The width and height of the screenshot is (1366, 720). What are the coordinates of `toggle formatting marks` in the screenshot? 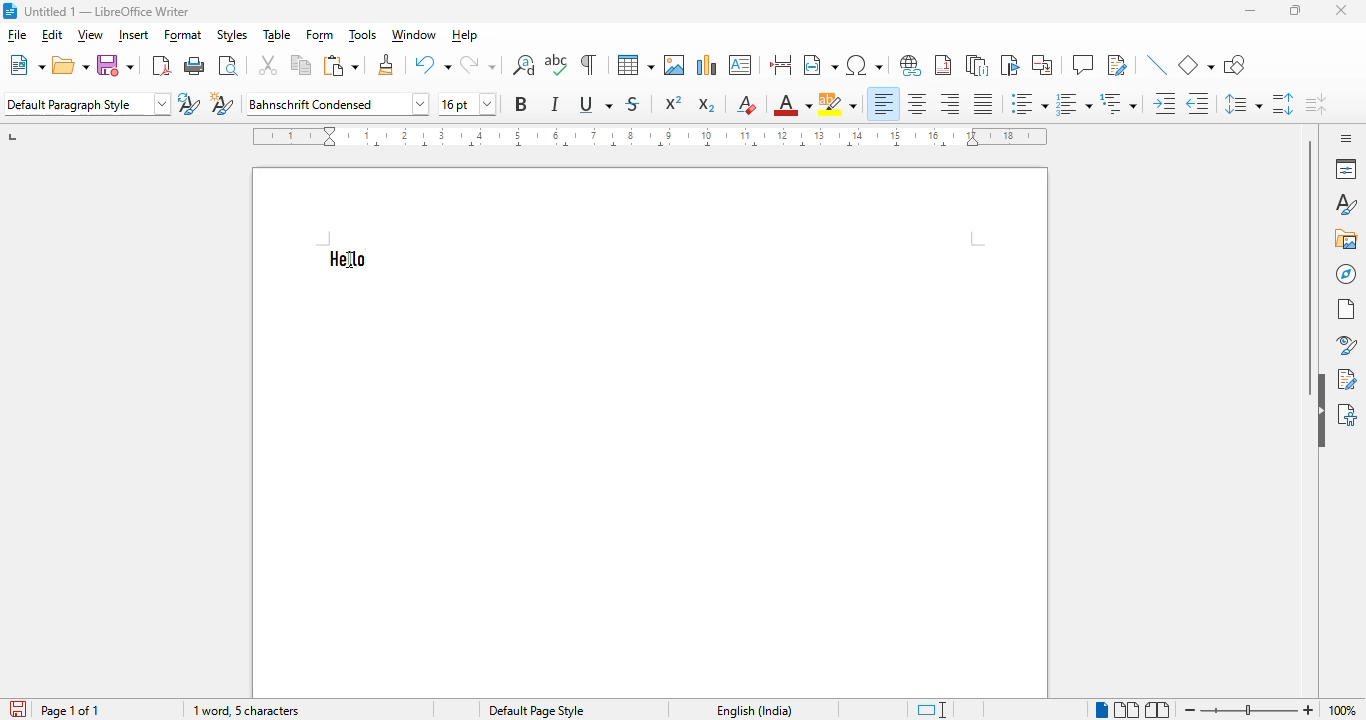 It's located at (588, 64).